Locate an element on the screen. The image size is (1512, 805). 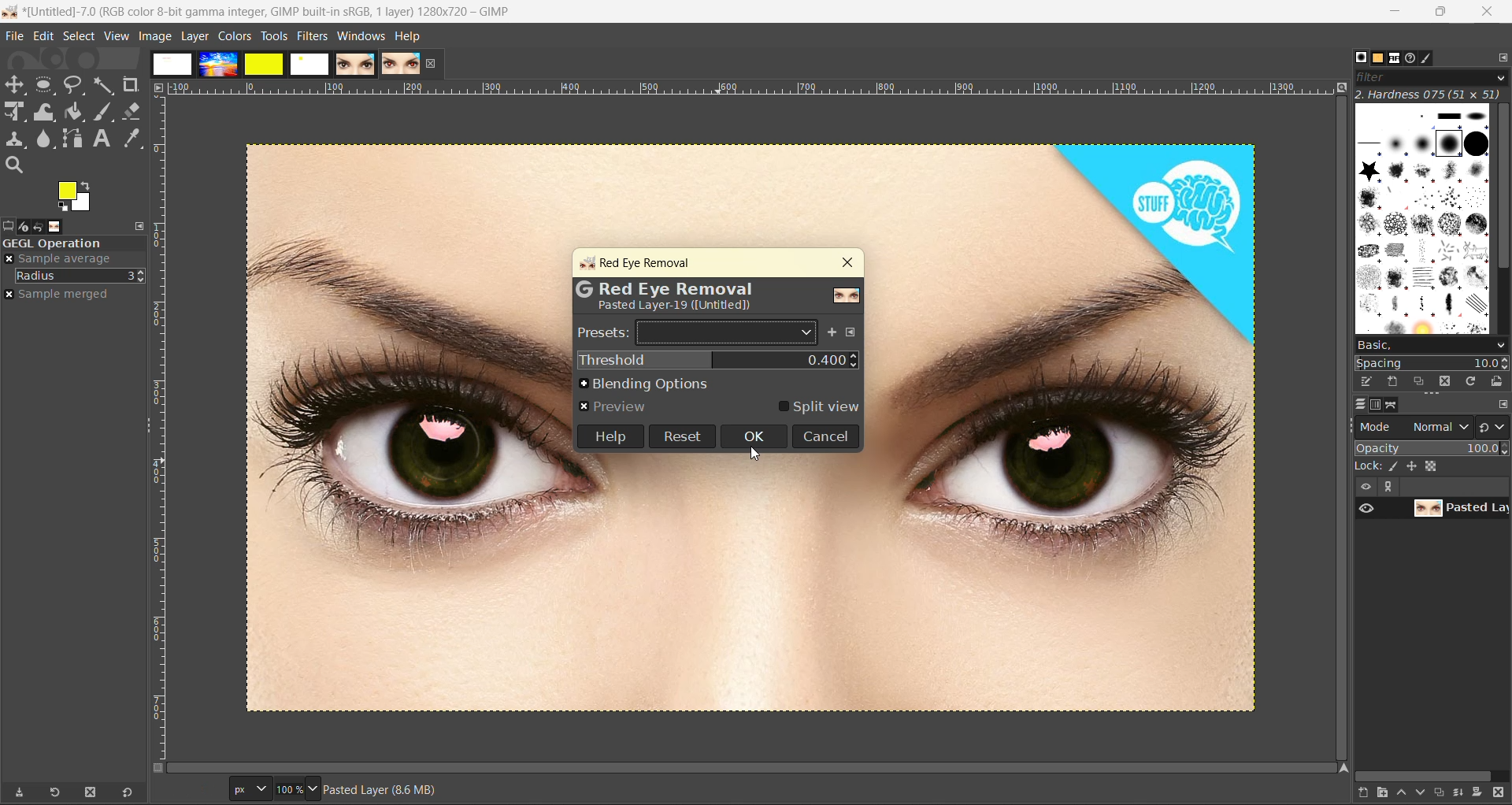
color picker tool is located at coordinates (134, 139).